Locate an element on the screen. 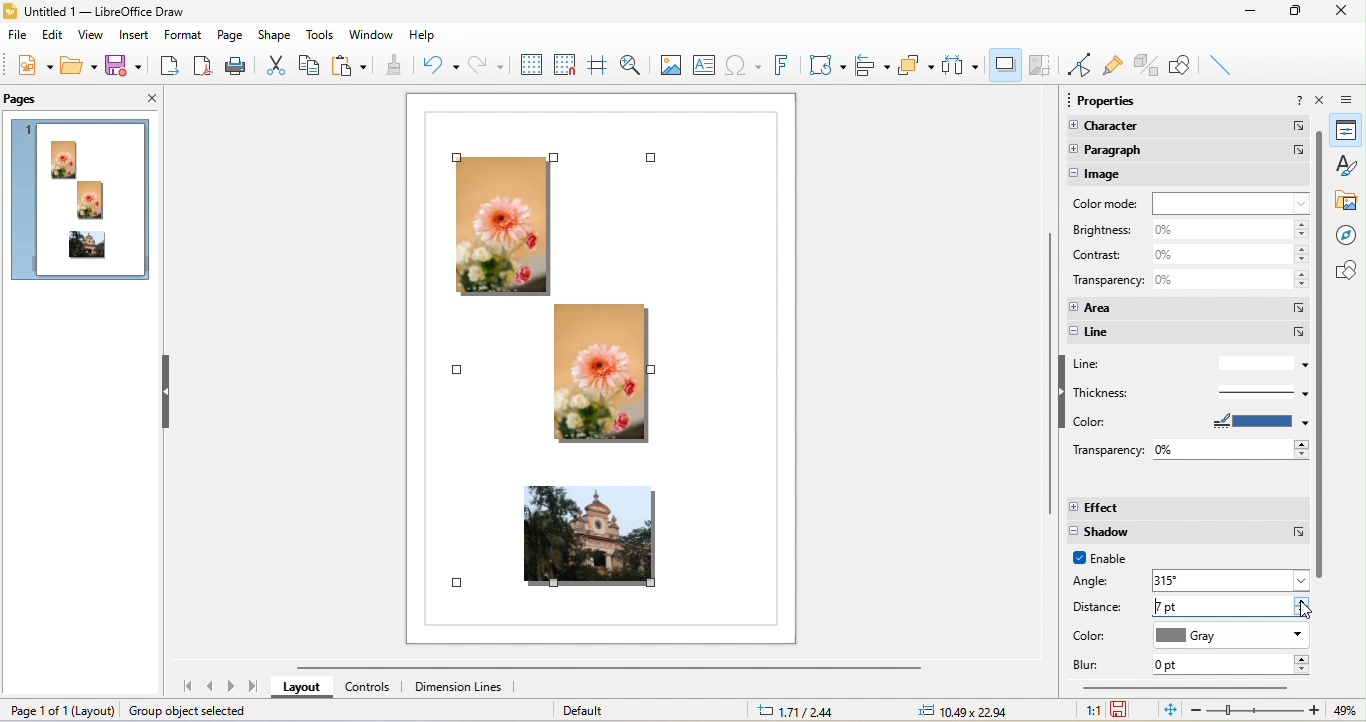 Image resolution: width=1366 pixels, height=722 pixels. save is located at coordinates (130, 67).